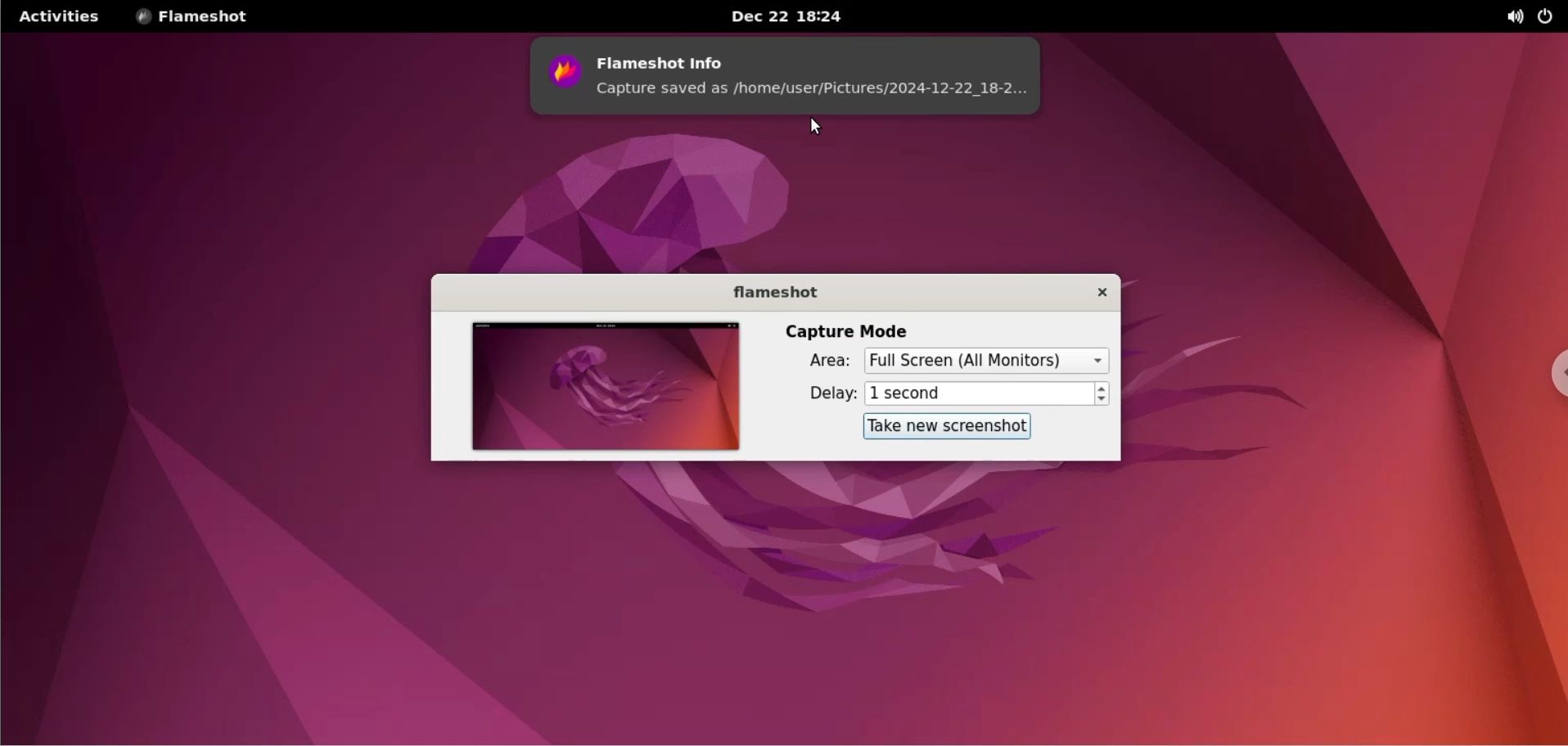 The height and width of the screenshot is (746, 1568). Describe the element at coordinates (205, 17) in the screenshot. I see `flameshot menu` at that location.